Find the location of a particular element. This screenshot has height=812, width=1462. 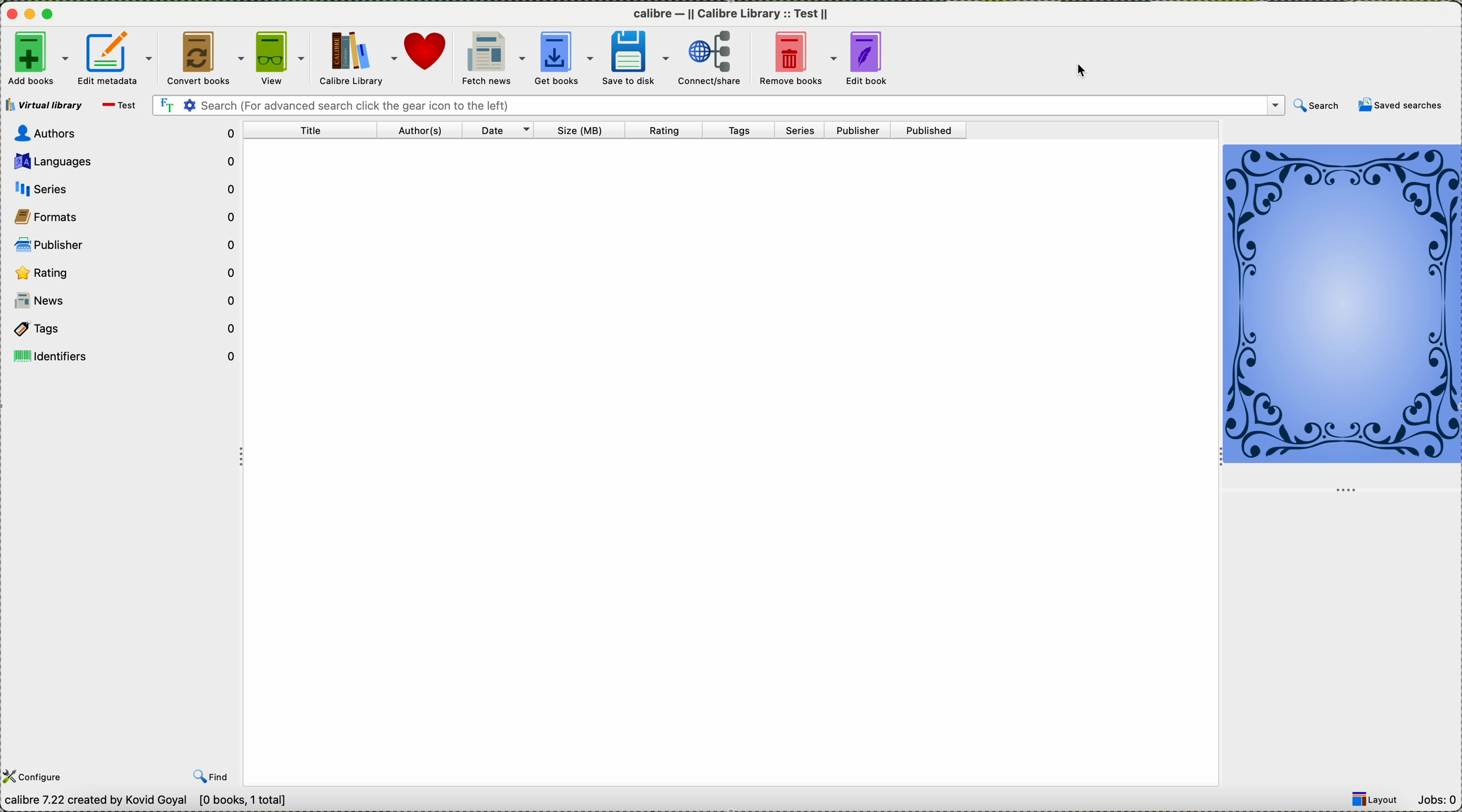

Authors is located at coordinates (121, 133).